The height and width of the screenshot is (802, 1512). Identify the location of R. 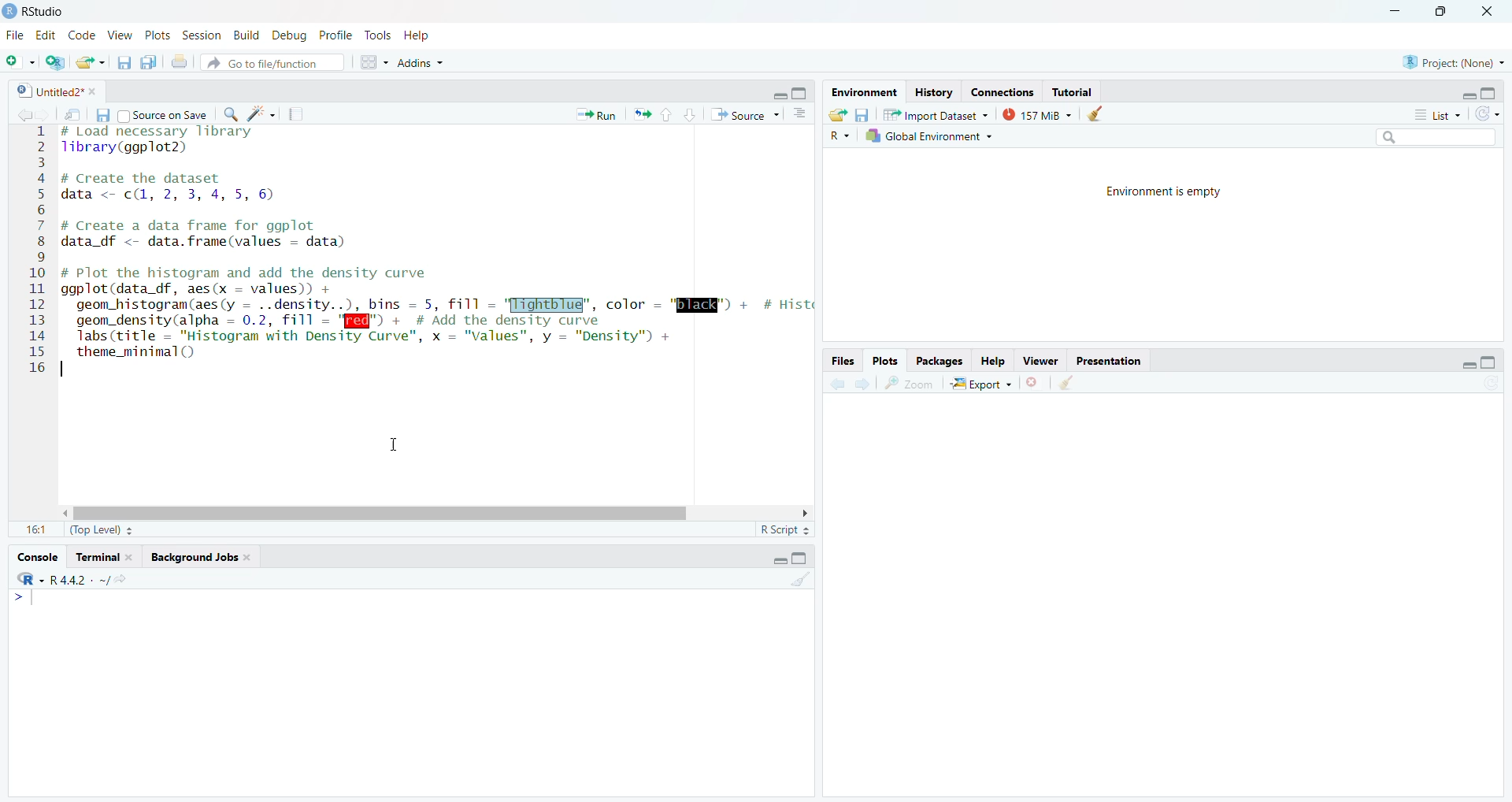
(845, 136).